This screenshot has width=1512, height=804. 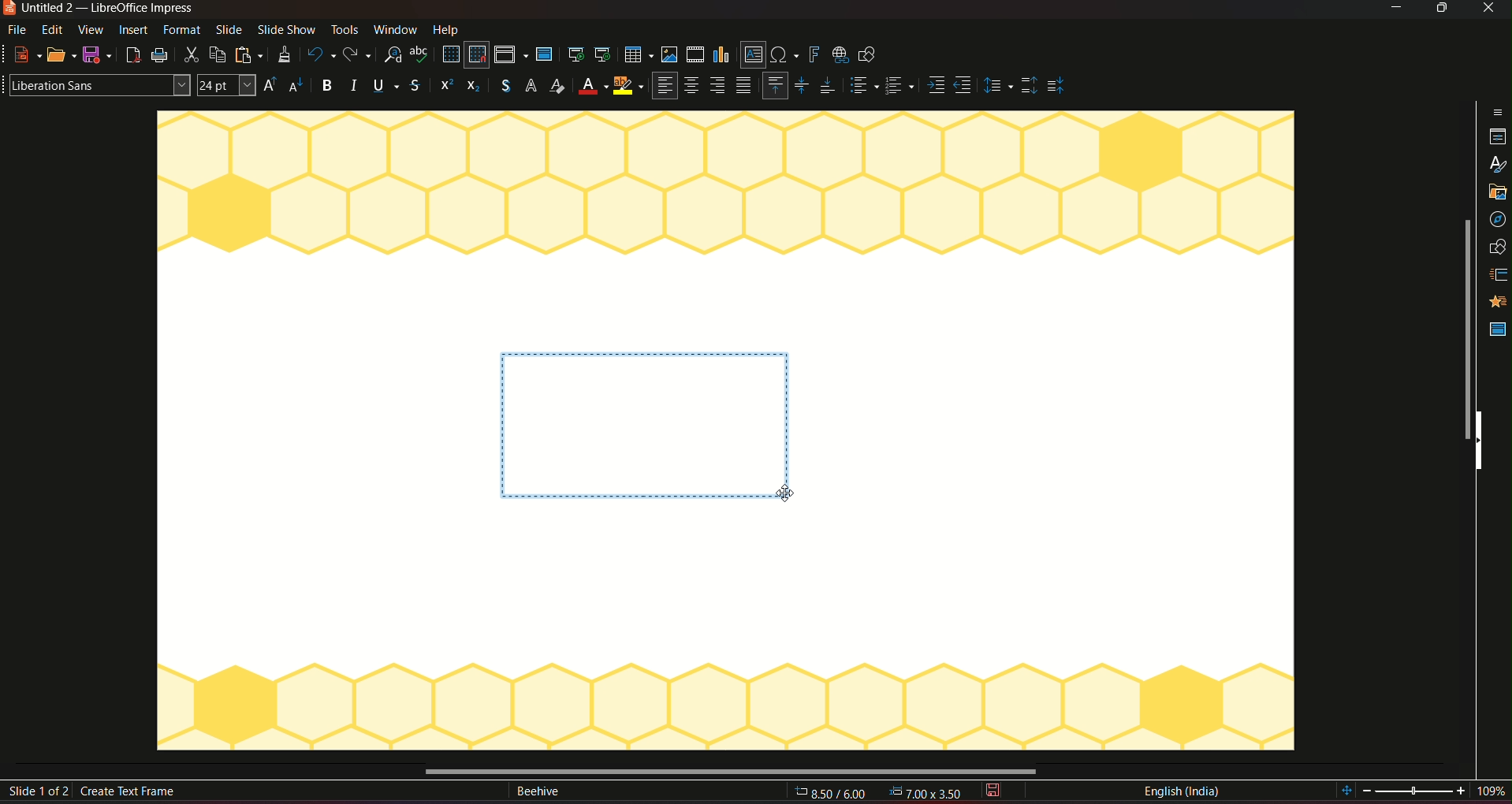 I want to click on create text frame, so click(x=136, y=793).